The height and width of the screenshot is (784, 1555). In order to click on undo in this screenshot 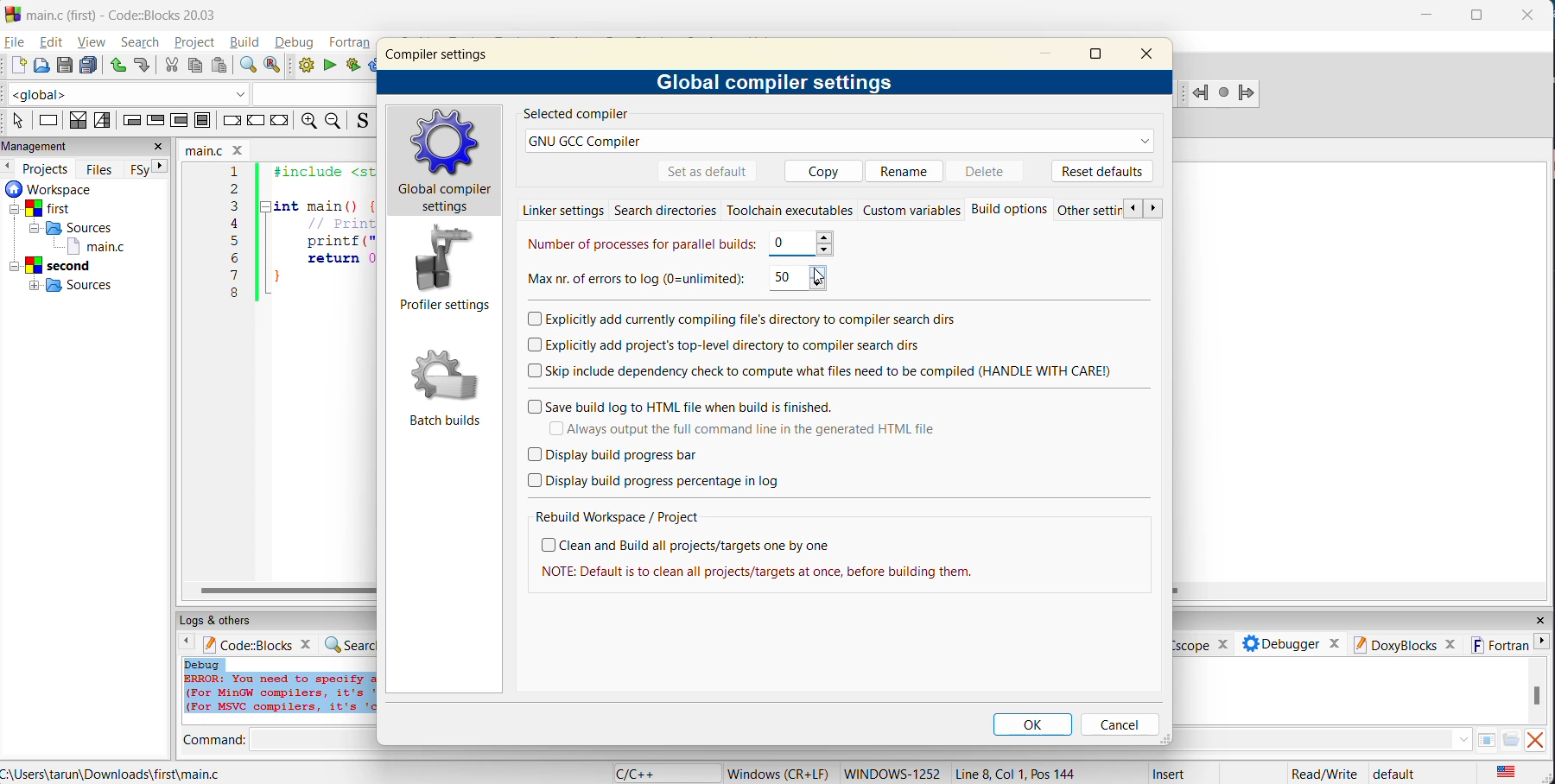, I will do `click(119, 66)`.